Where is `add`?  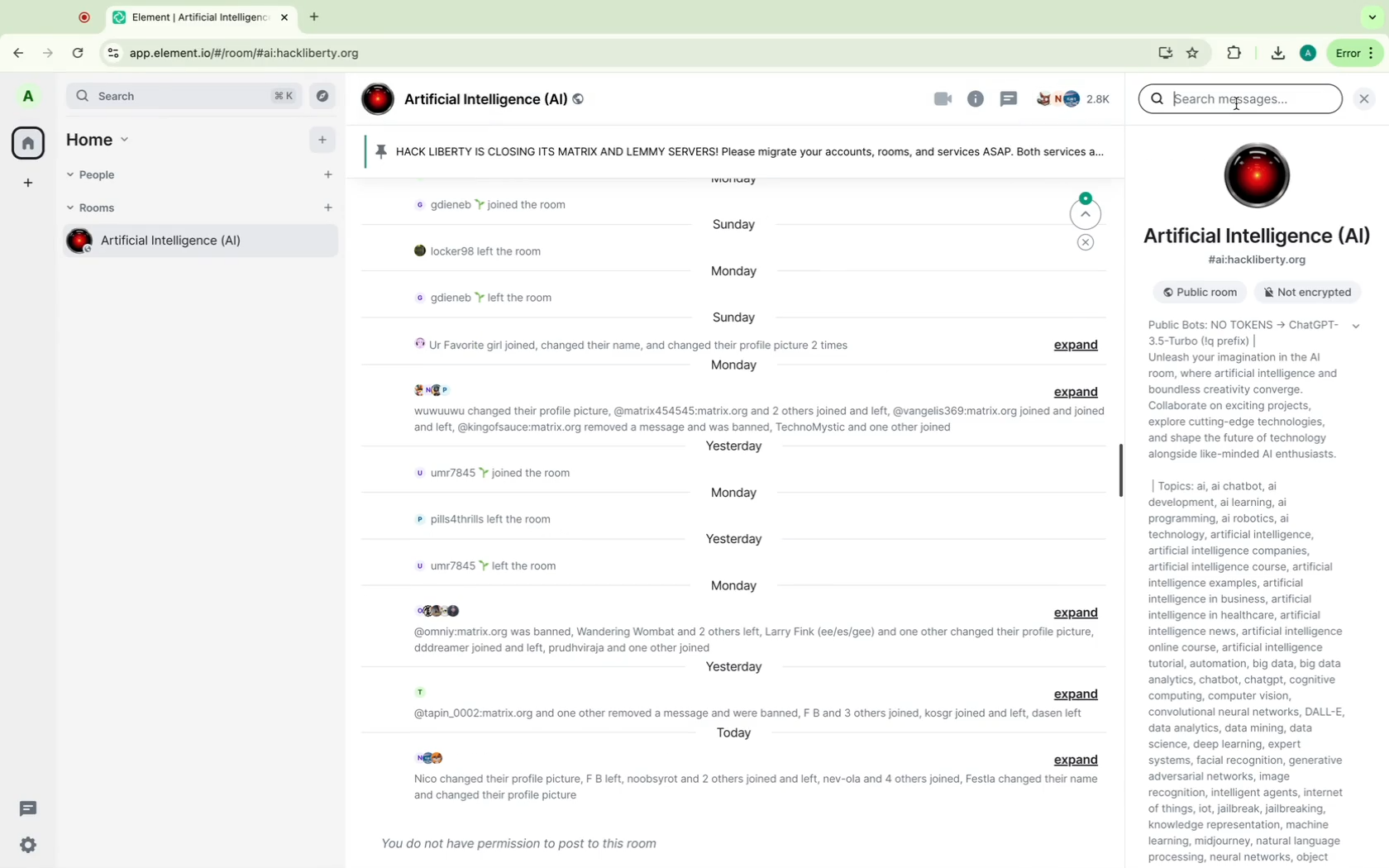
add is located at coordinates (322, 144).